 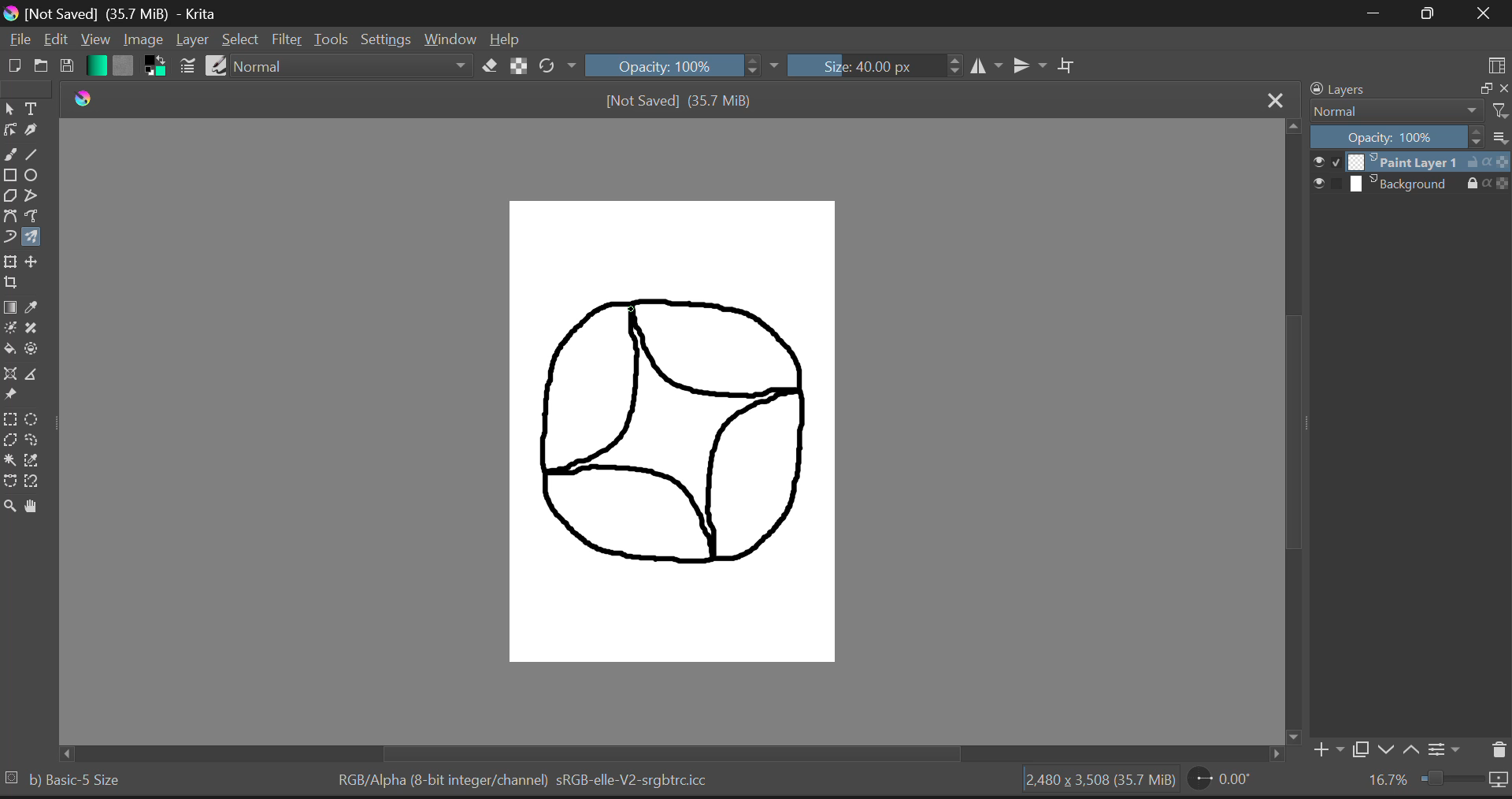 I want to click on , so click(x=11, y=776).